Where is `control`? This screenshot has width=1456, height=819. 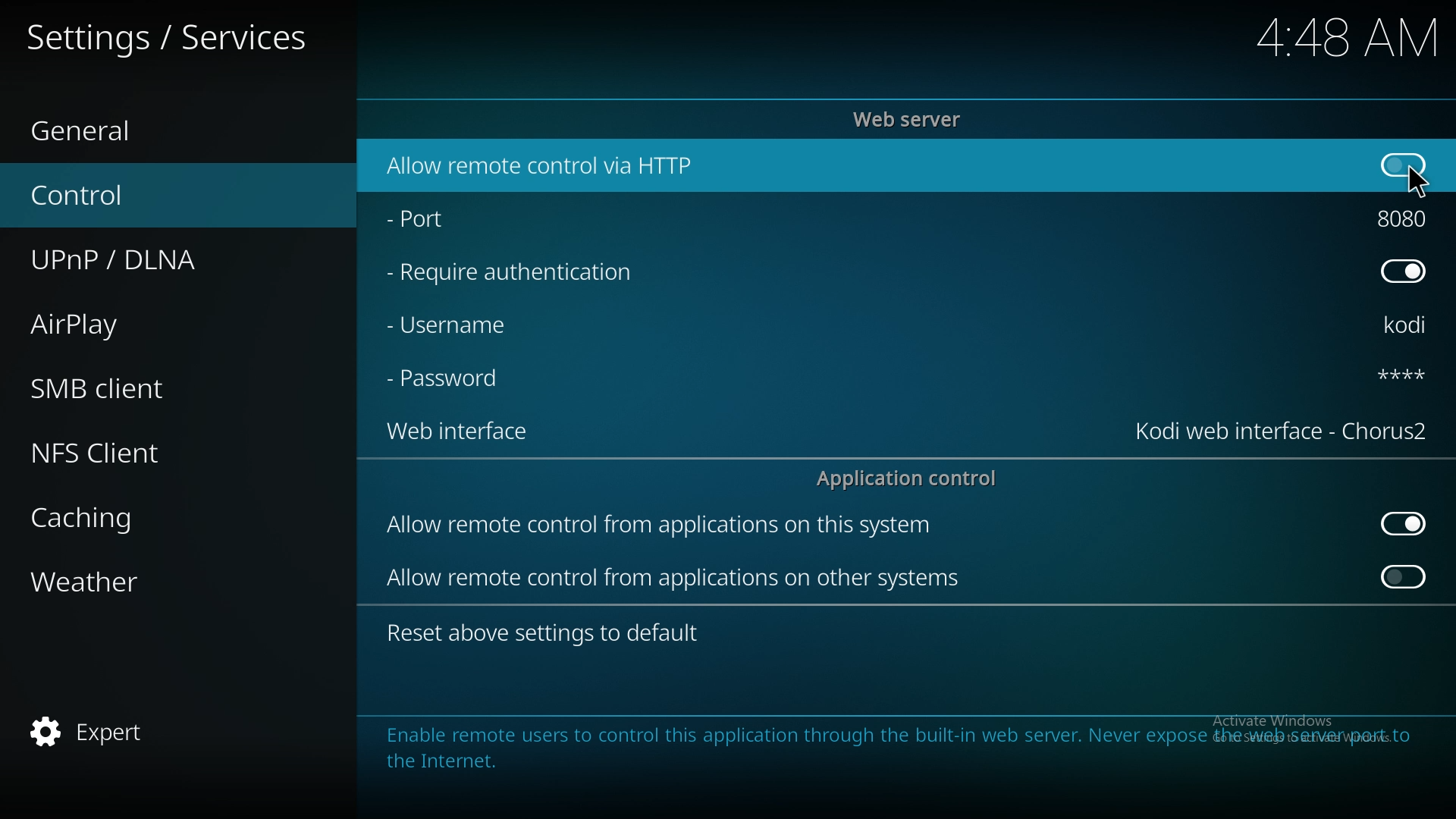 control is located at coordinates (111, 194).